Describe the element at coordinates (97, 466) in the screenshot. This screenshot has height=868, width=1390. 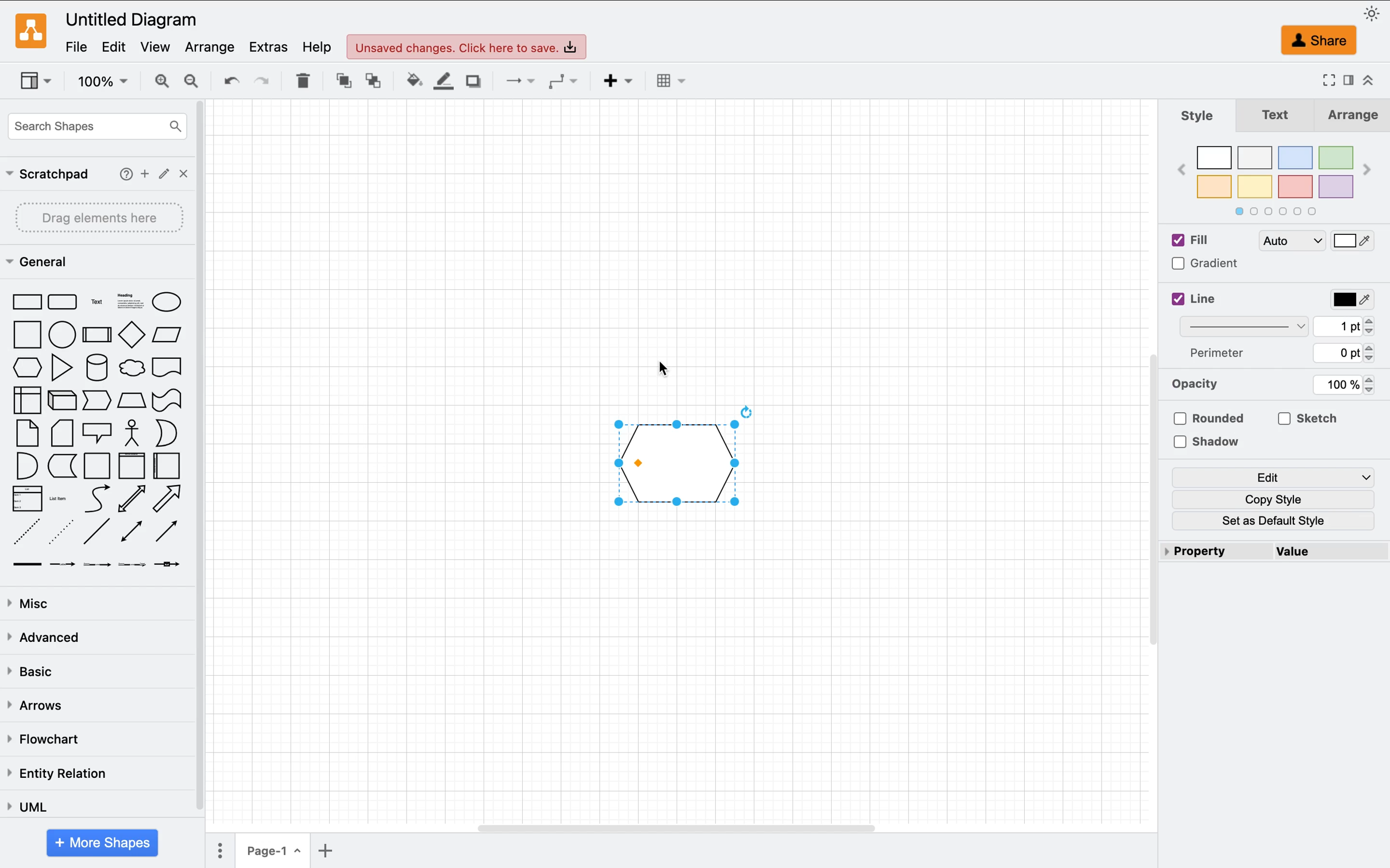
I see `container` at that location.